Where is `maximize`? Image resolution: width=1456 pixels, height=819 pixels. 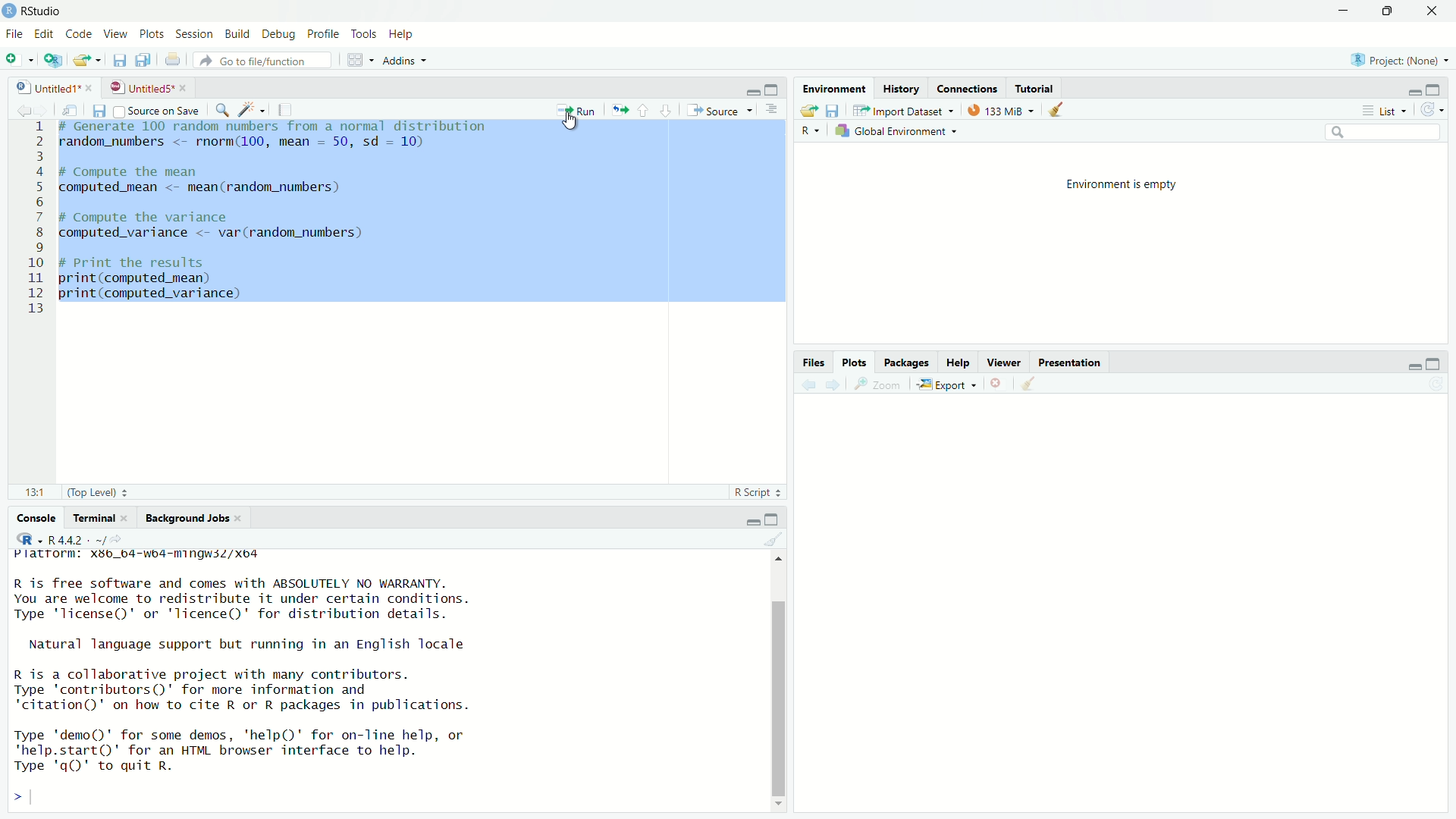
maximize is located at coordinates (1391, 11).